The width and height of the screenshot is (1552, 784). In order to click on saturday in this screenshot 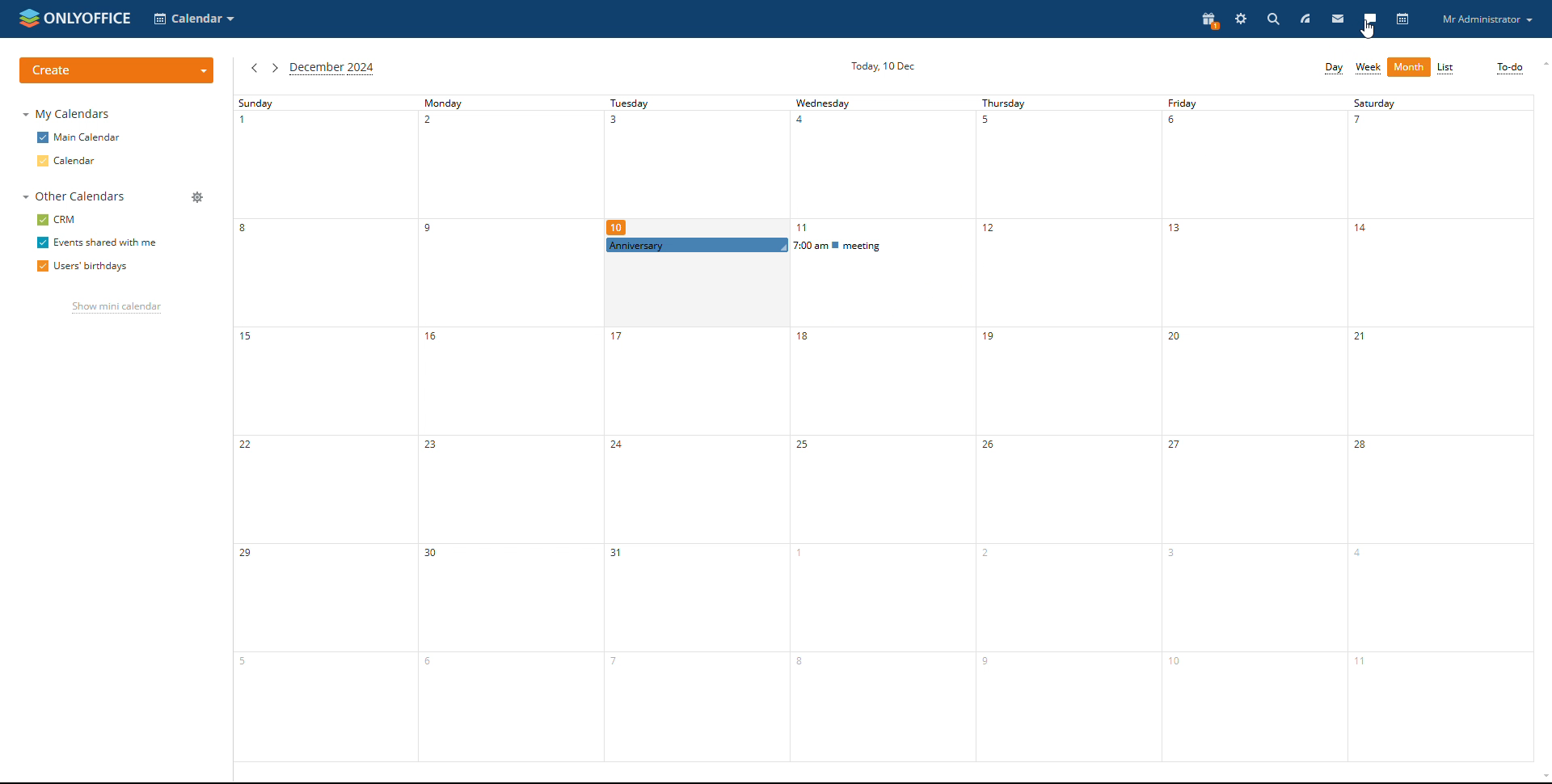, I will do `click(1440, 428)`.